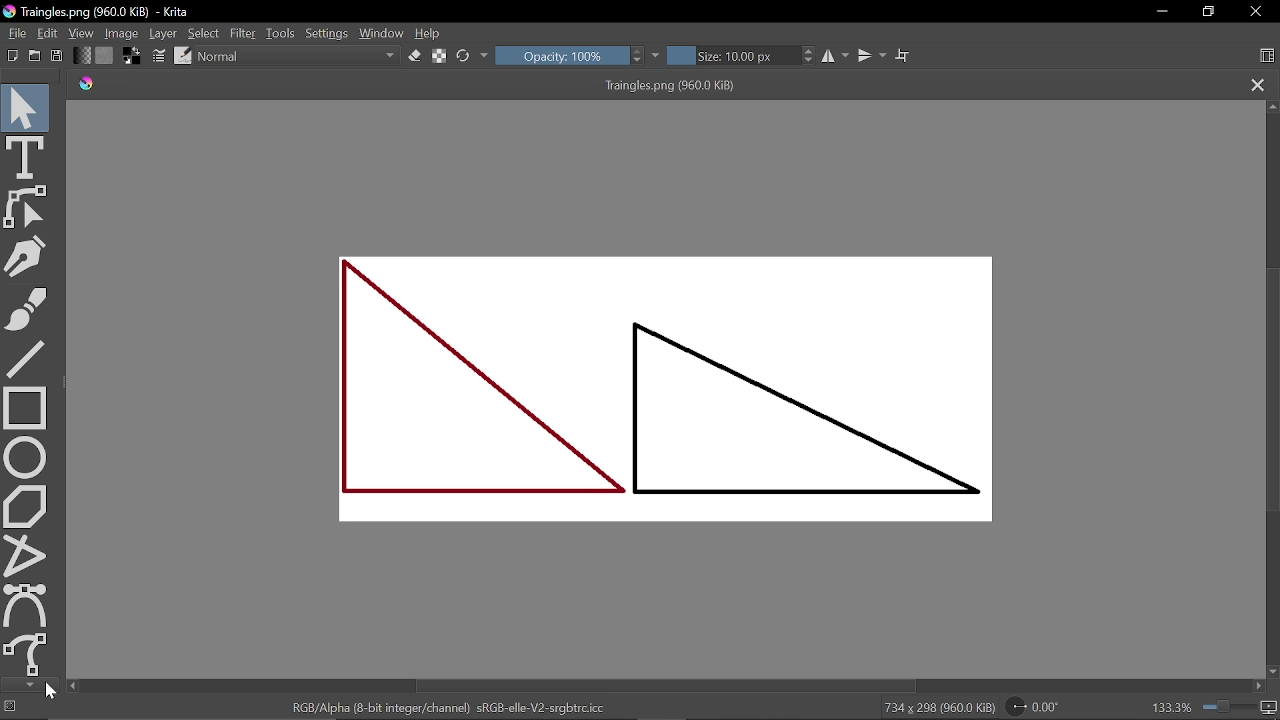 The width and height of the screenshot is (1280, 720). Describe the element at coordinates (26, 683) in the screenshot. I see `Move down in tools` at that location.